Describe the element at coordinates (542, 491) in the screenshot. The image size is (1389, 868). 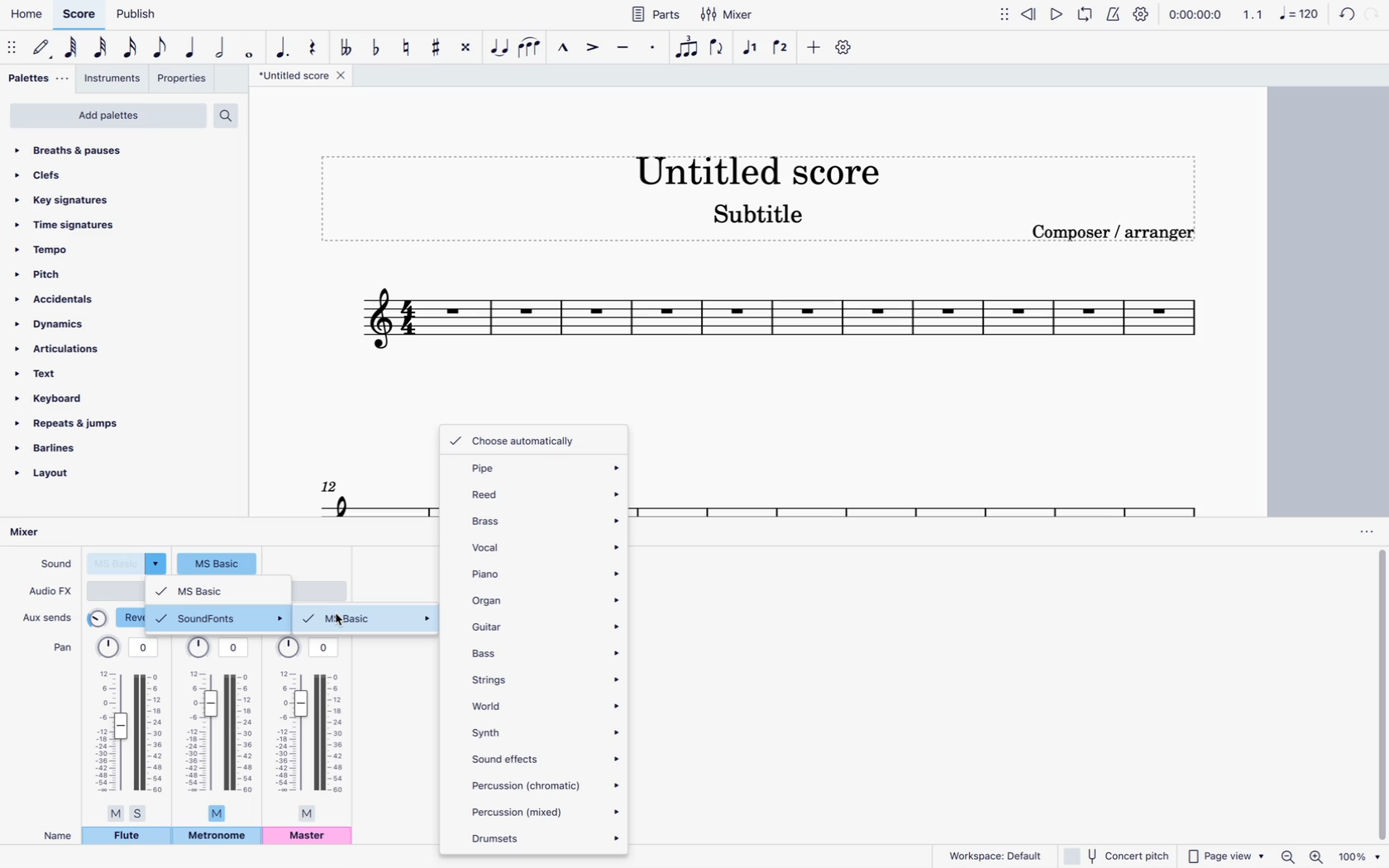
I see `reed` at that location.